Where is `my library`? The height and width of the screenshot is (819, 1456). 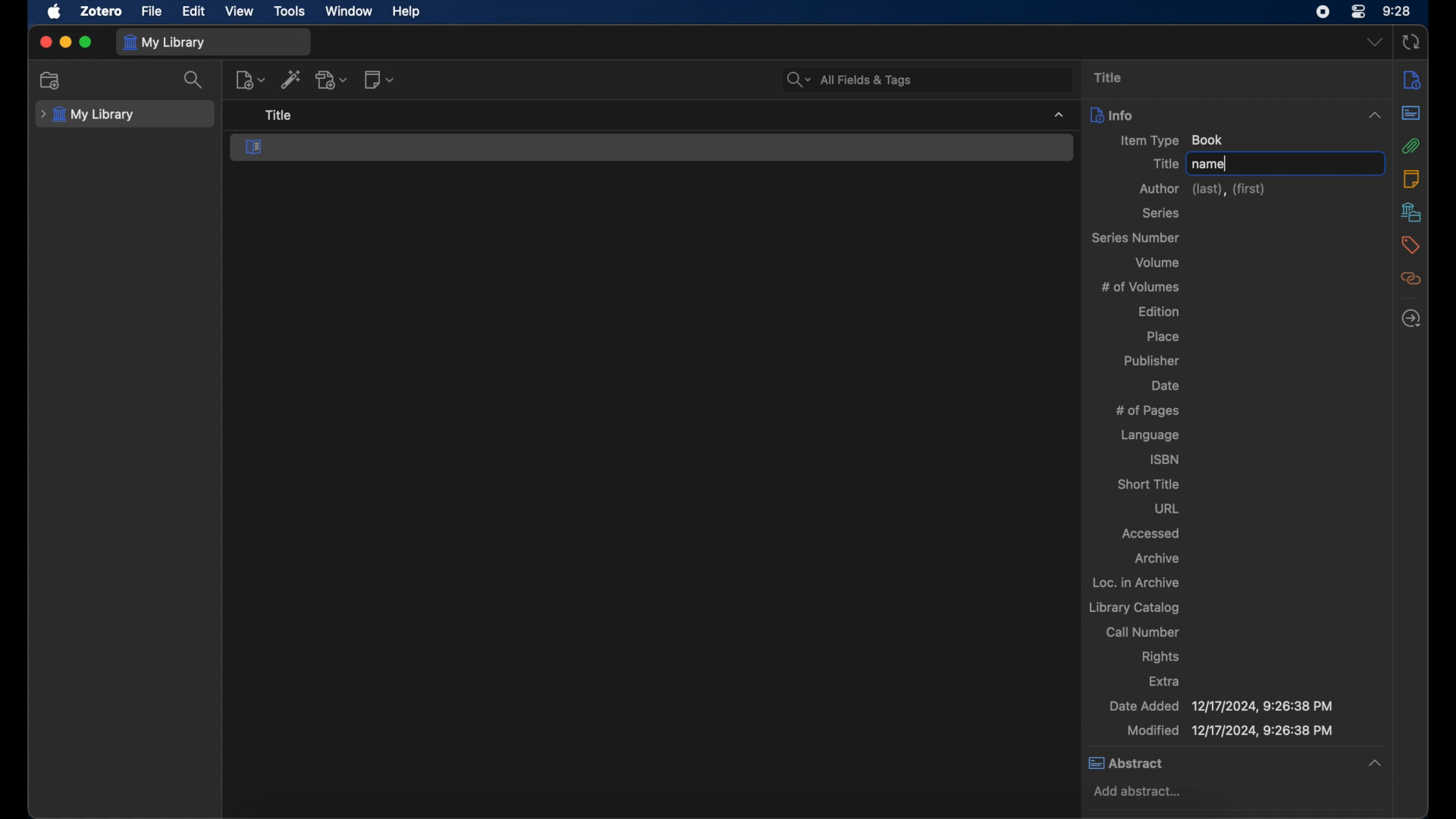 my library is located at coordinates (90, 115).